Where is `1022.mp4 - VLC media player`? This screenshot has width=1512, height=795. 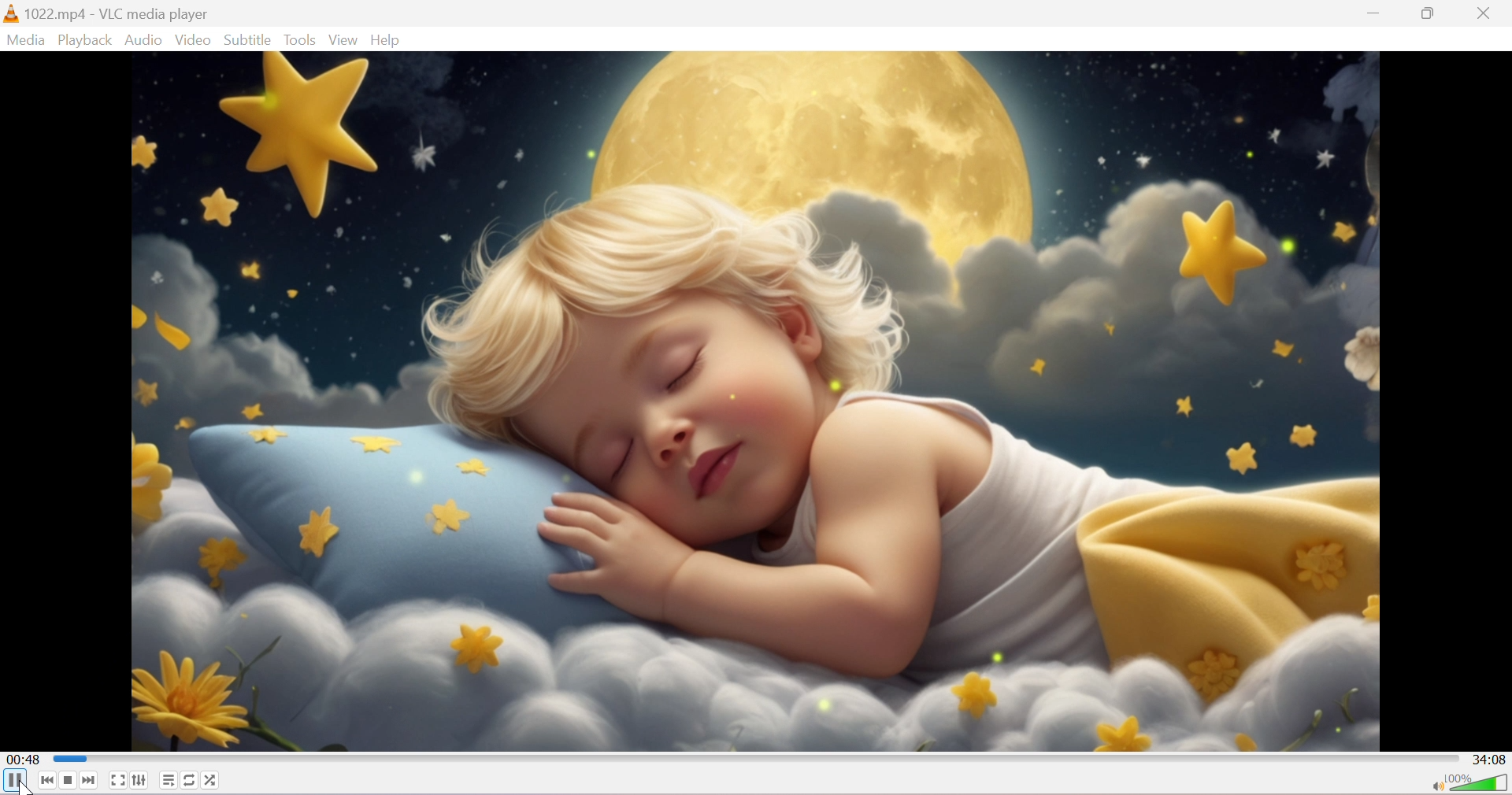 1022.mp4 - VLC media player is located at coordinates (106, 11).